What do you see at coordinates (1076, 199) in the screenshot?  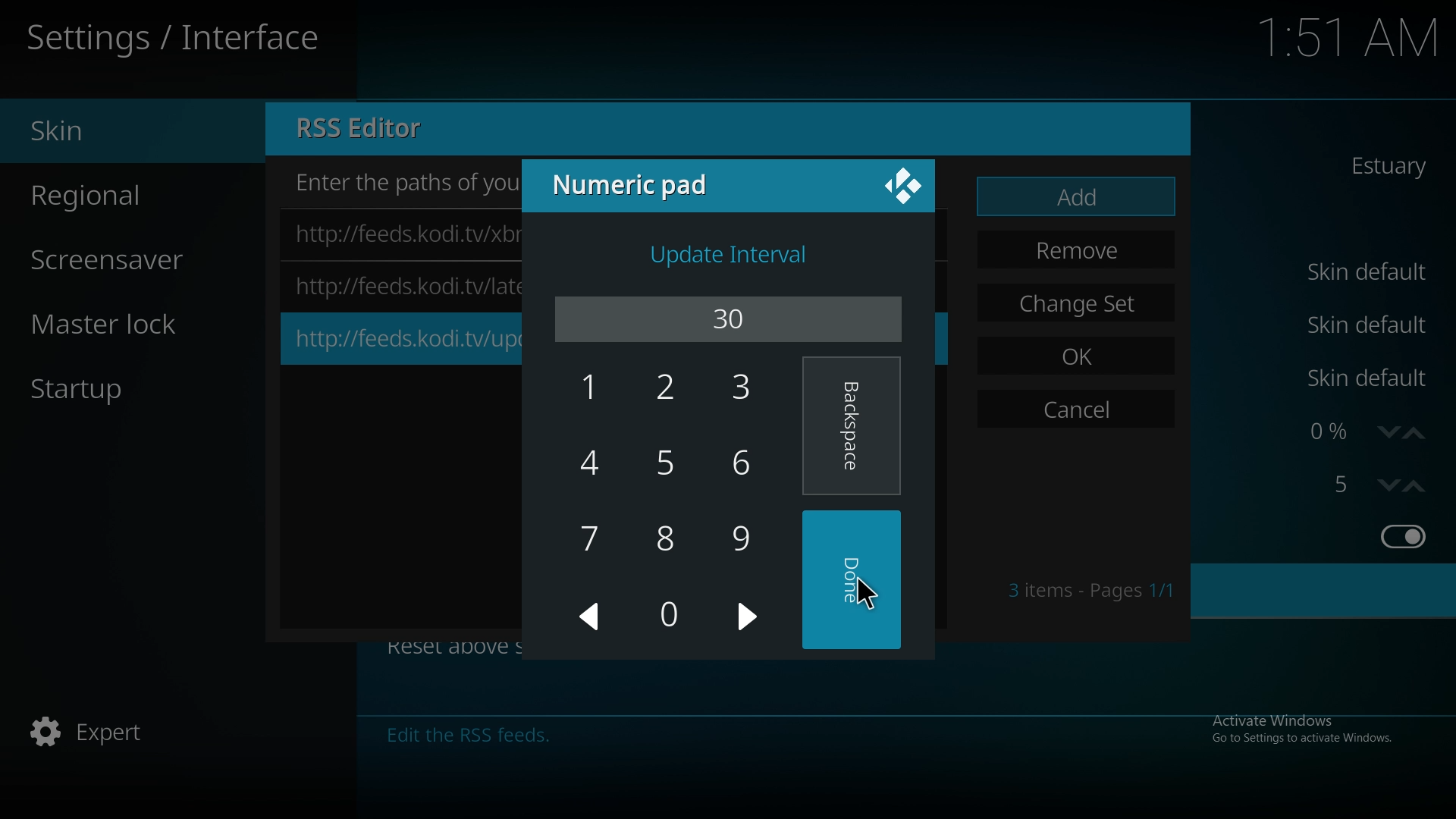 I see `add` at bounding box center [1076, 199].